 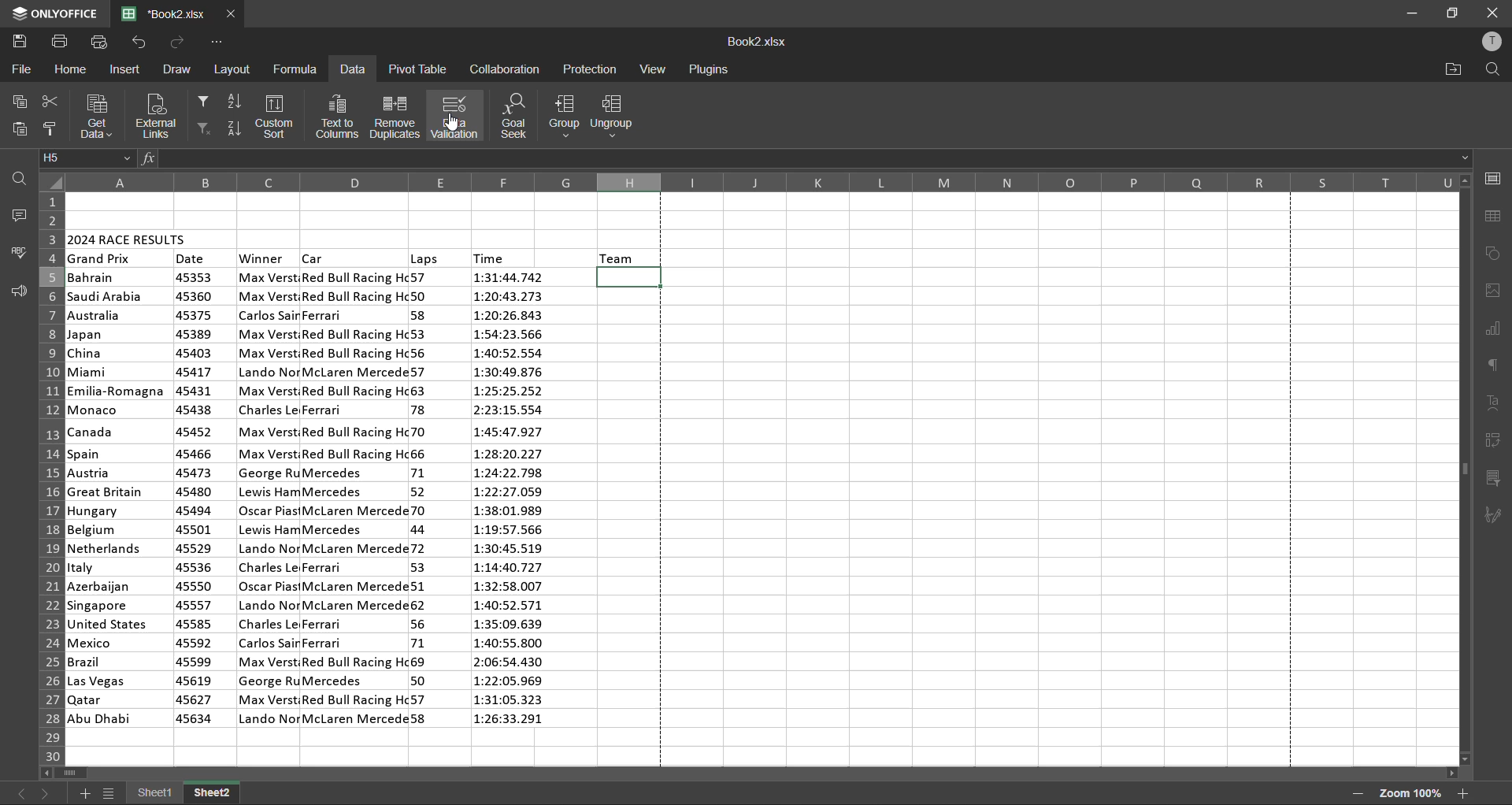 What do you see at coordinates (1491, 12) in the screenshot?
I see `close` at bounding box center [1491, 12].